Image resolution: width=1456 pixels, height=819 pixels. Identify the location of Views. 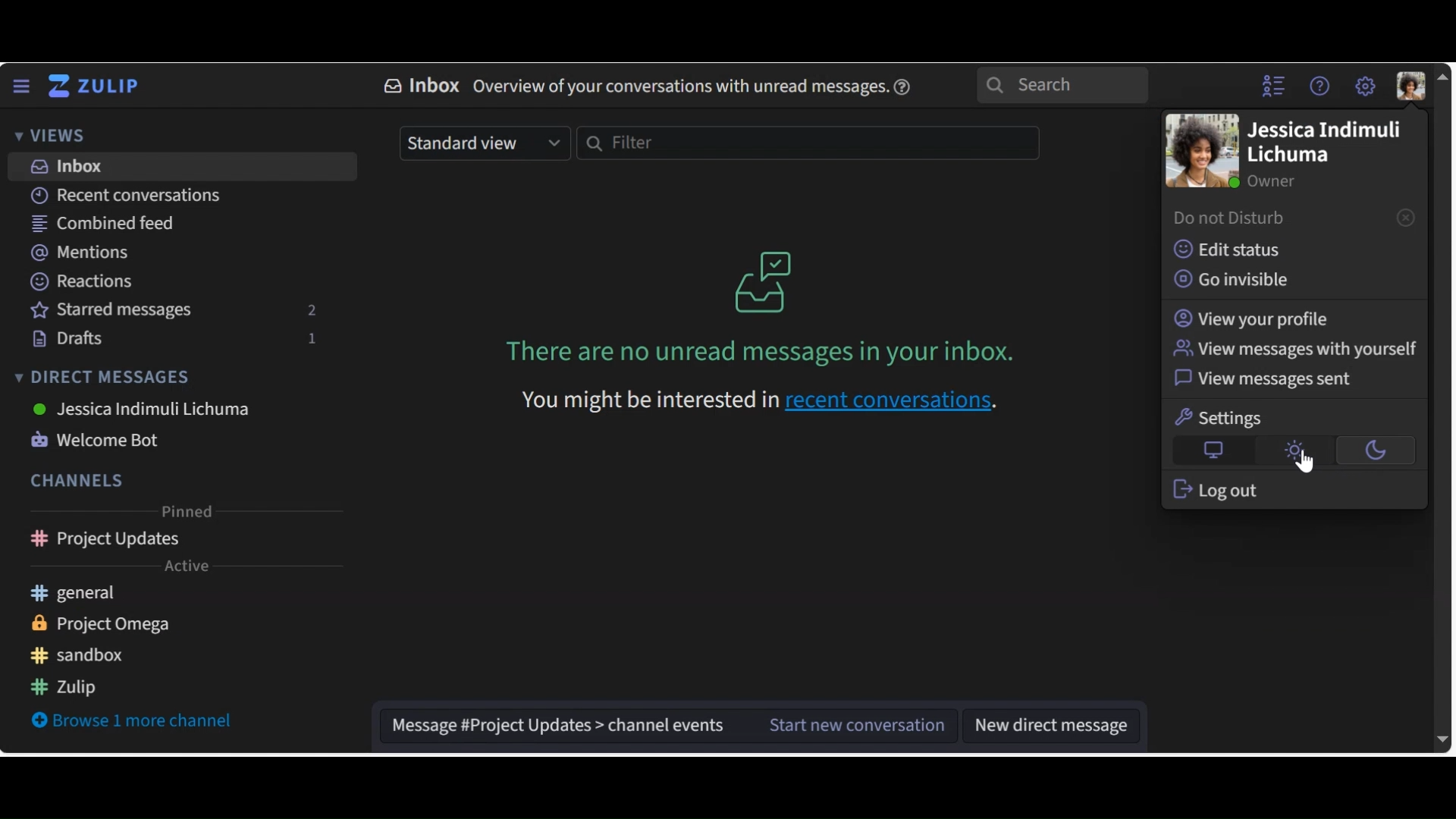
(49, 134).